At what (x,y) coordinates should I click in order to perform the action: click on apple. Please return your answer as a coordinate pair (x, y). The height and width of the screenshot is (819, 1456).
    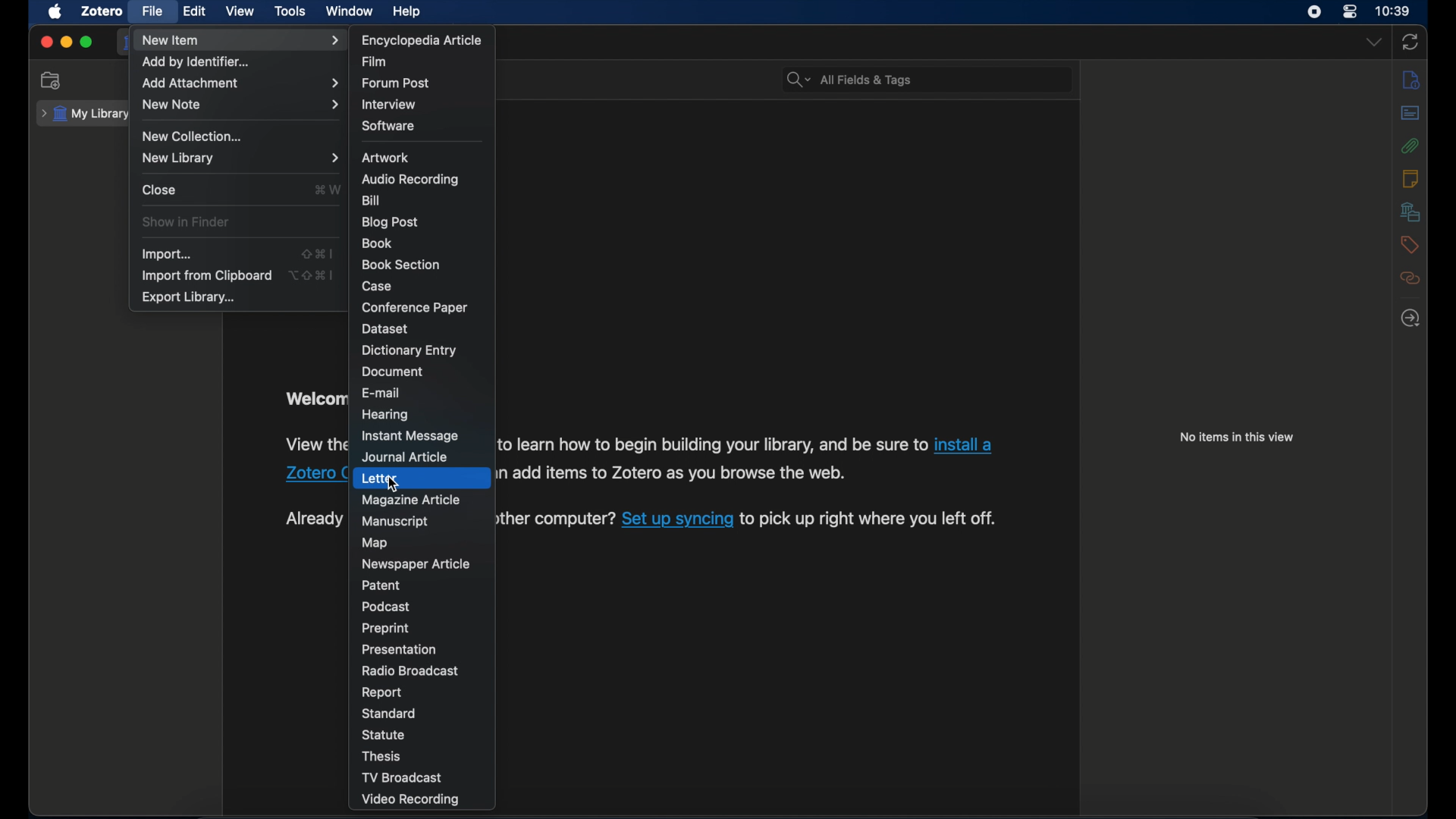
    Looking at the image, I should click on (55, 12).